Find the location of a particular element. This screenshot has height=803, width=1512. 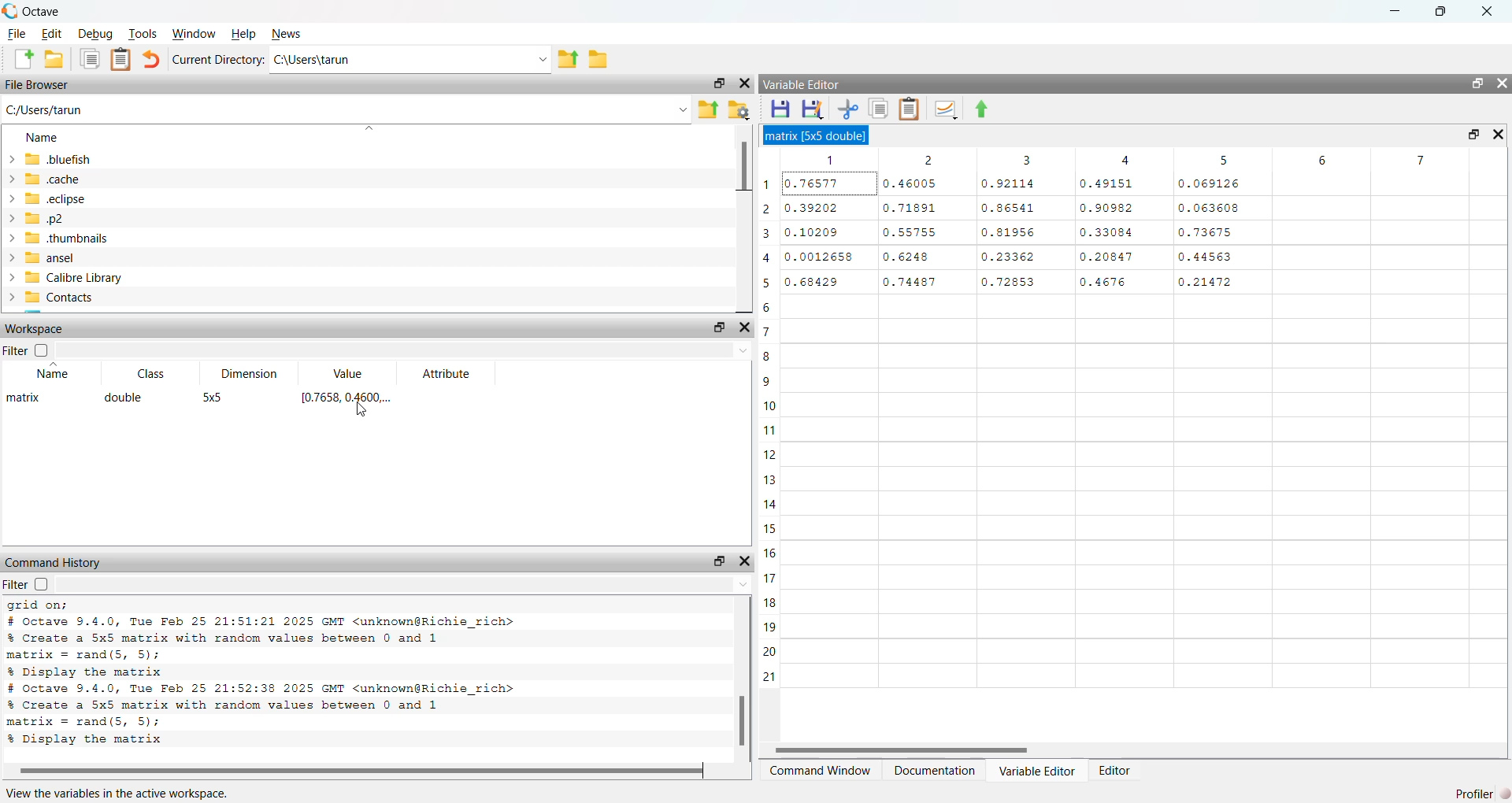

Ci\Users\tarun is located at coordinates (373, 62).